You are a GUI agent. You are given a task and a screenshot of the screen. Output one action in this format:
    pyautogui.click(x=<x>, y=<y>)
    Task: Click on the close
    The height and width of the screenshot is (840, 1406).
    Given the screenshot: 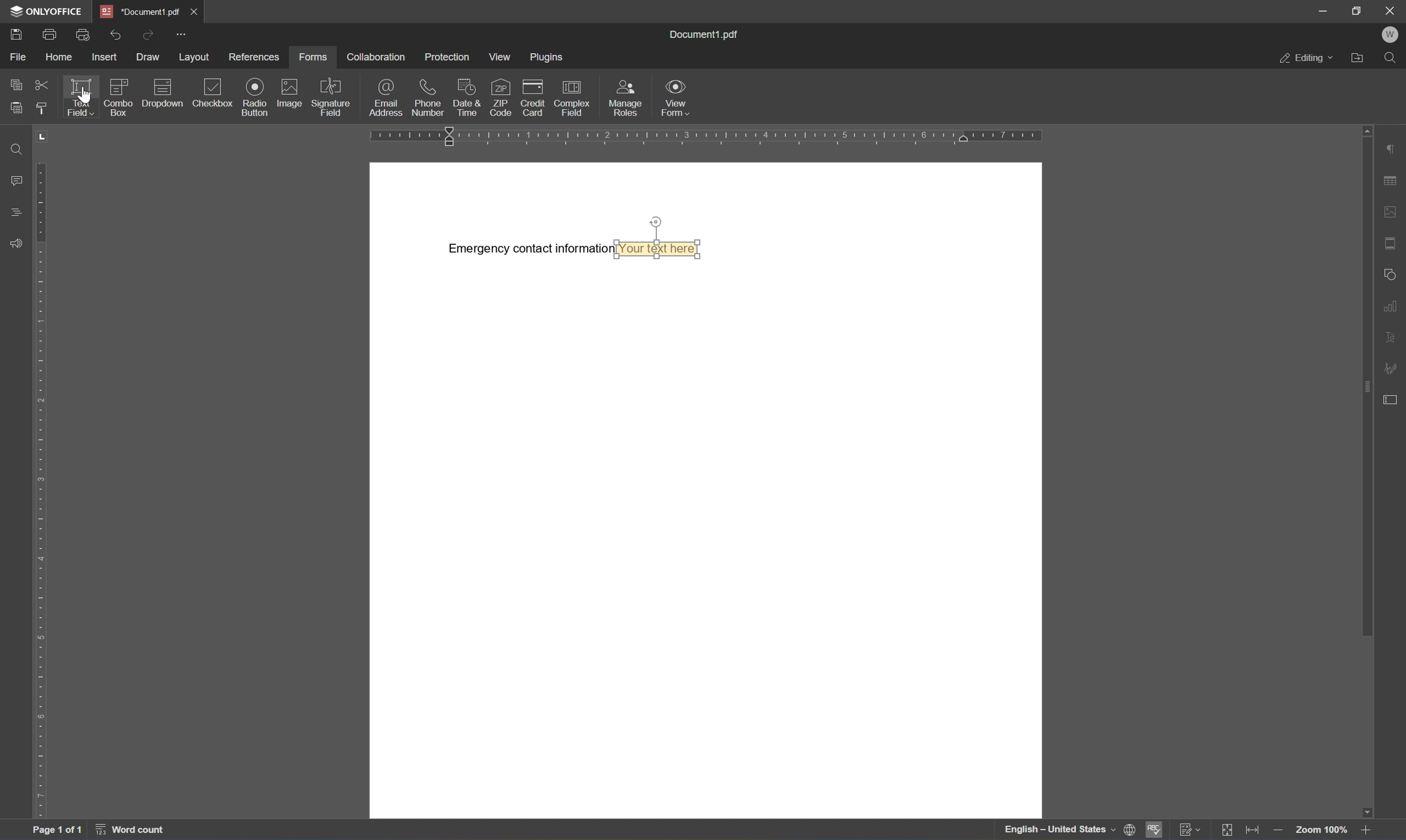 What is the action you would take?
    pyautogui.click(x=1390, y=11)
    